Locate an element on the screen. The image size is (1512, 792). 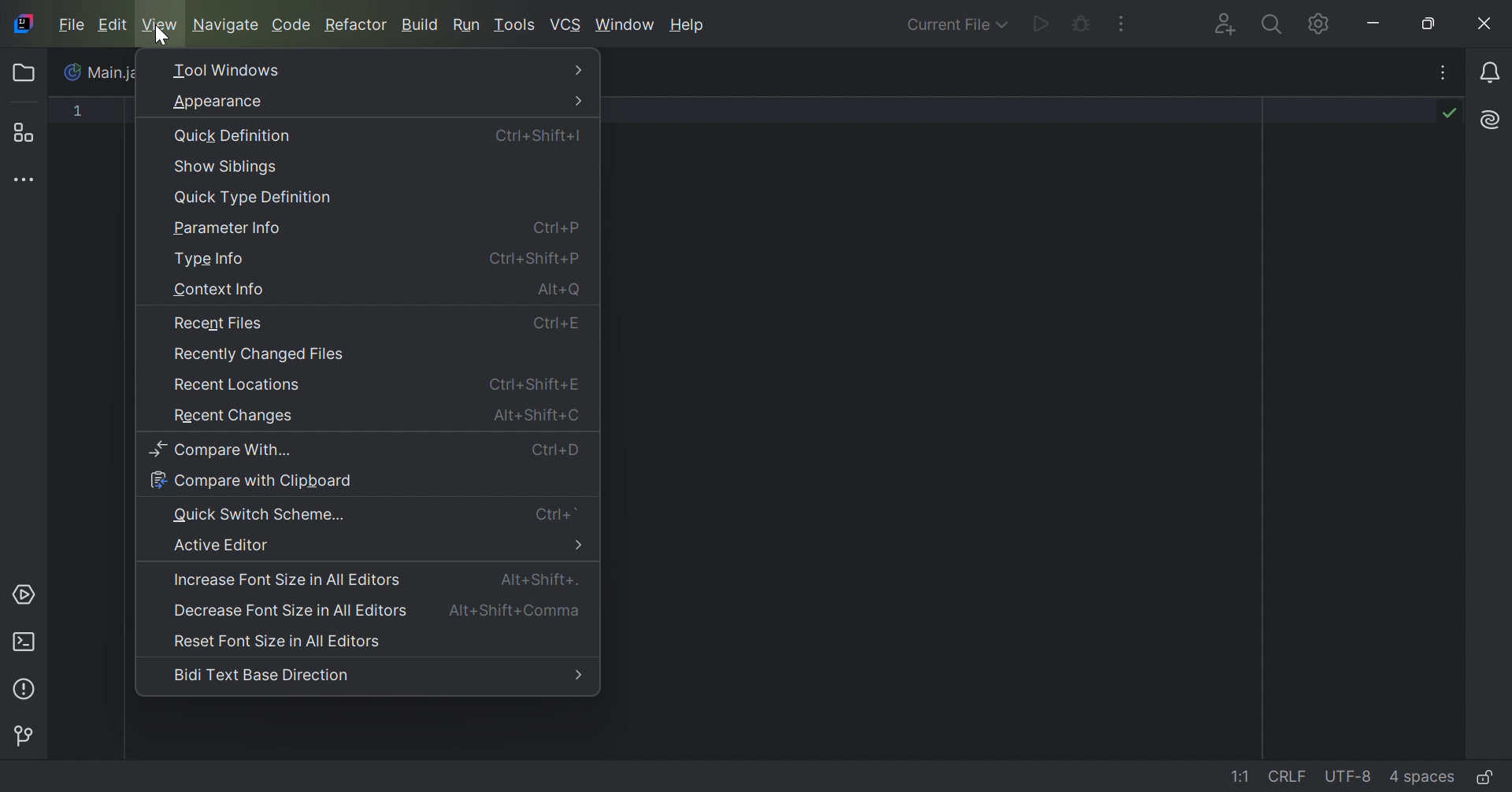
Context Info is located at coordinates (218, 291).